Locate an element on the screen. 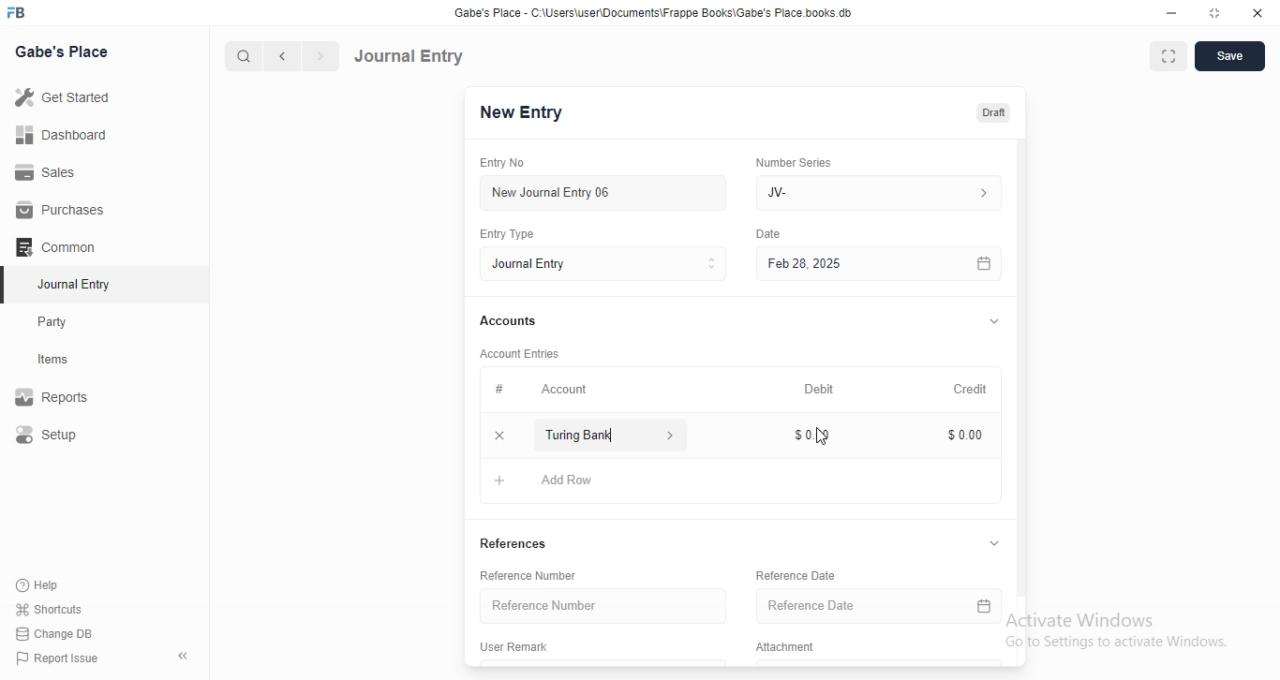 The height and width of the screenshot is (680, 1280). Attachment is located at coordinates (788, 648).